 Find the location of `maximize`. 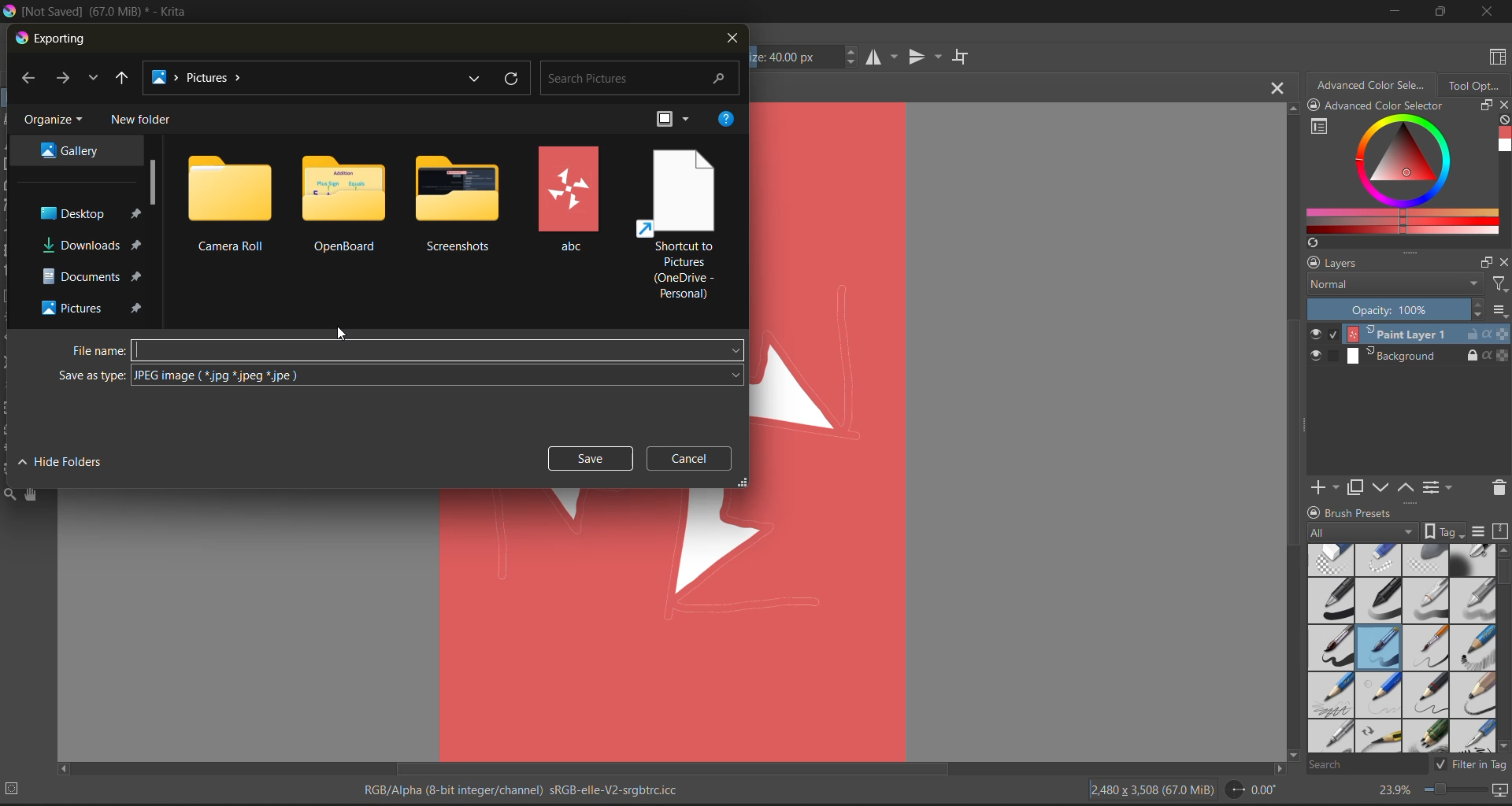

maximize is located at coordinates (1440, 10).